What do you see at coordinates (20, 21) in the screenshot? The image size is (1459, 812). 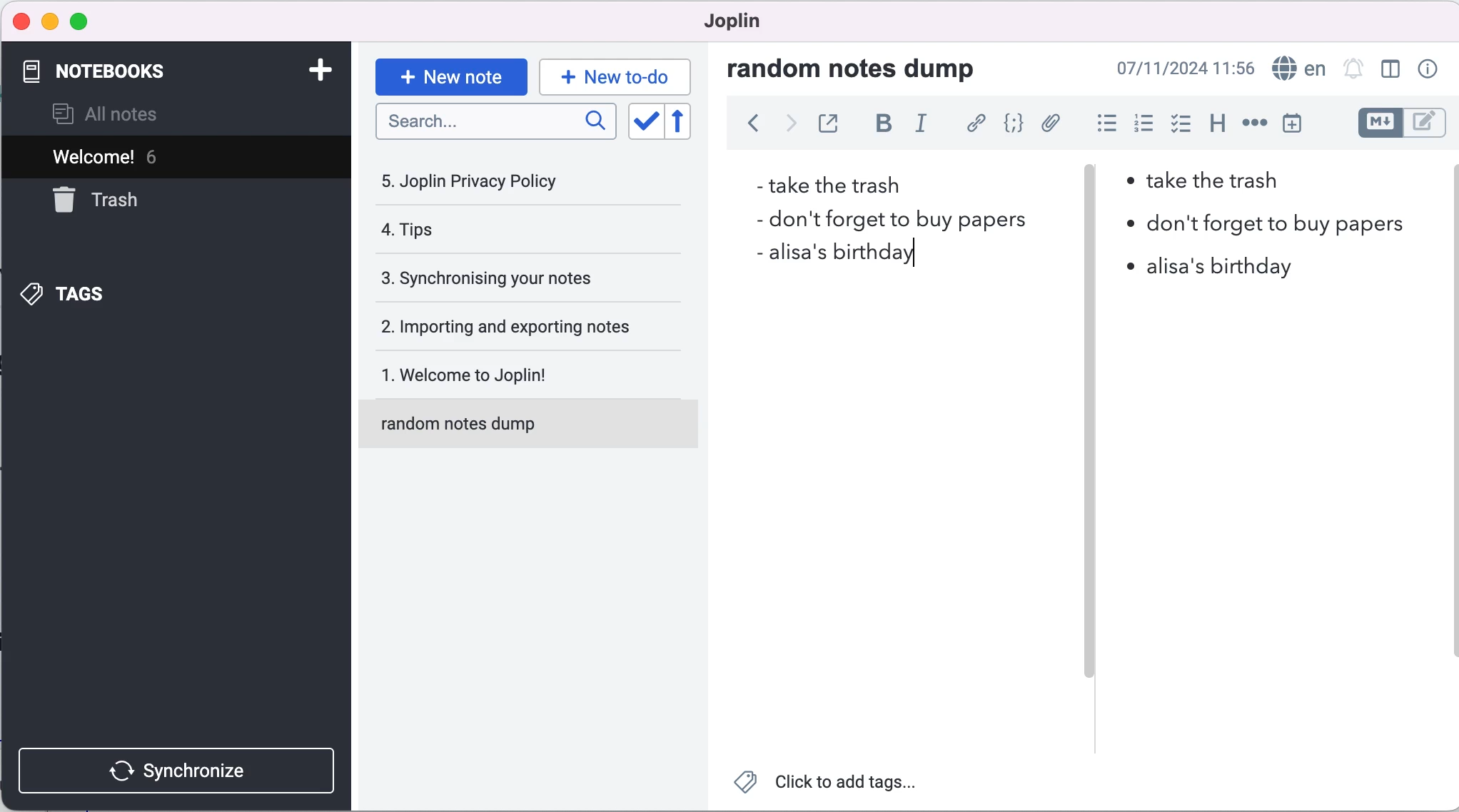 I see `close` at bounding box center [20, 21].